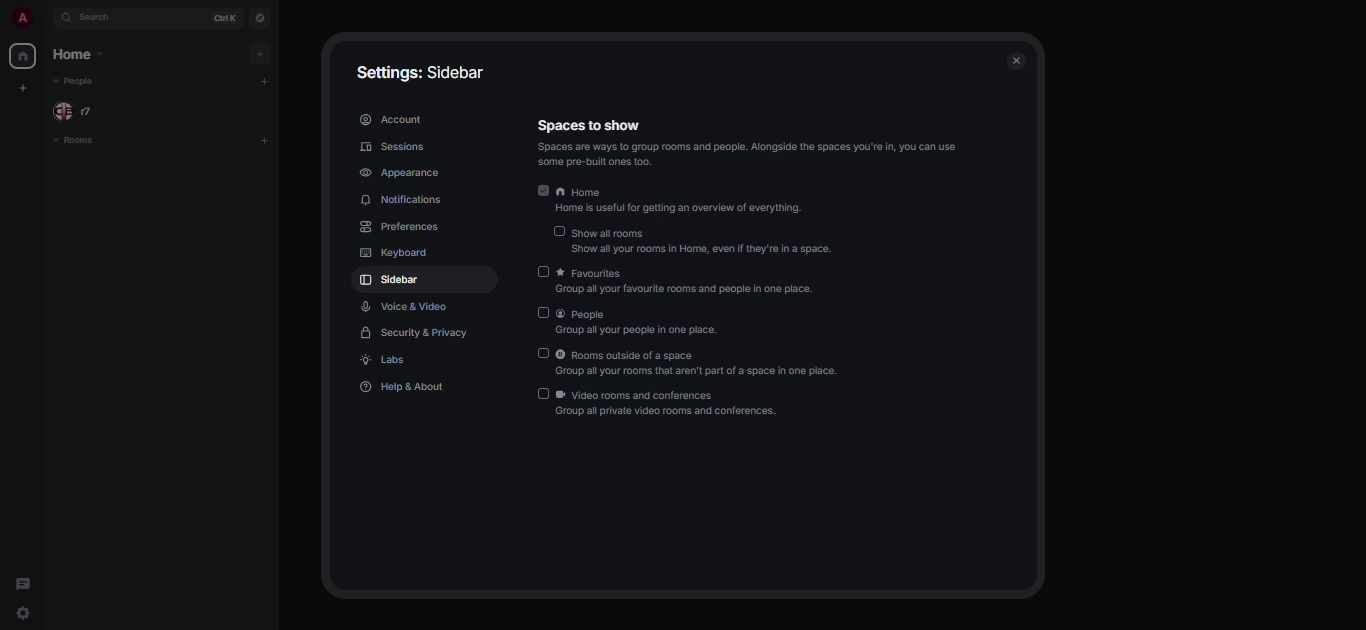 This screenshot has height=630, width=1366. Describe the element at coordinates (265, 81) in the screenshot. I see `add` at that location.